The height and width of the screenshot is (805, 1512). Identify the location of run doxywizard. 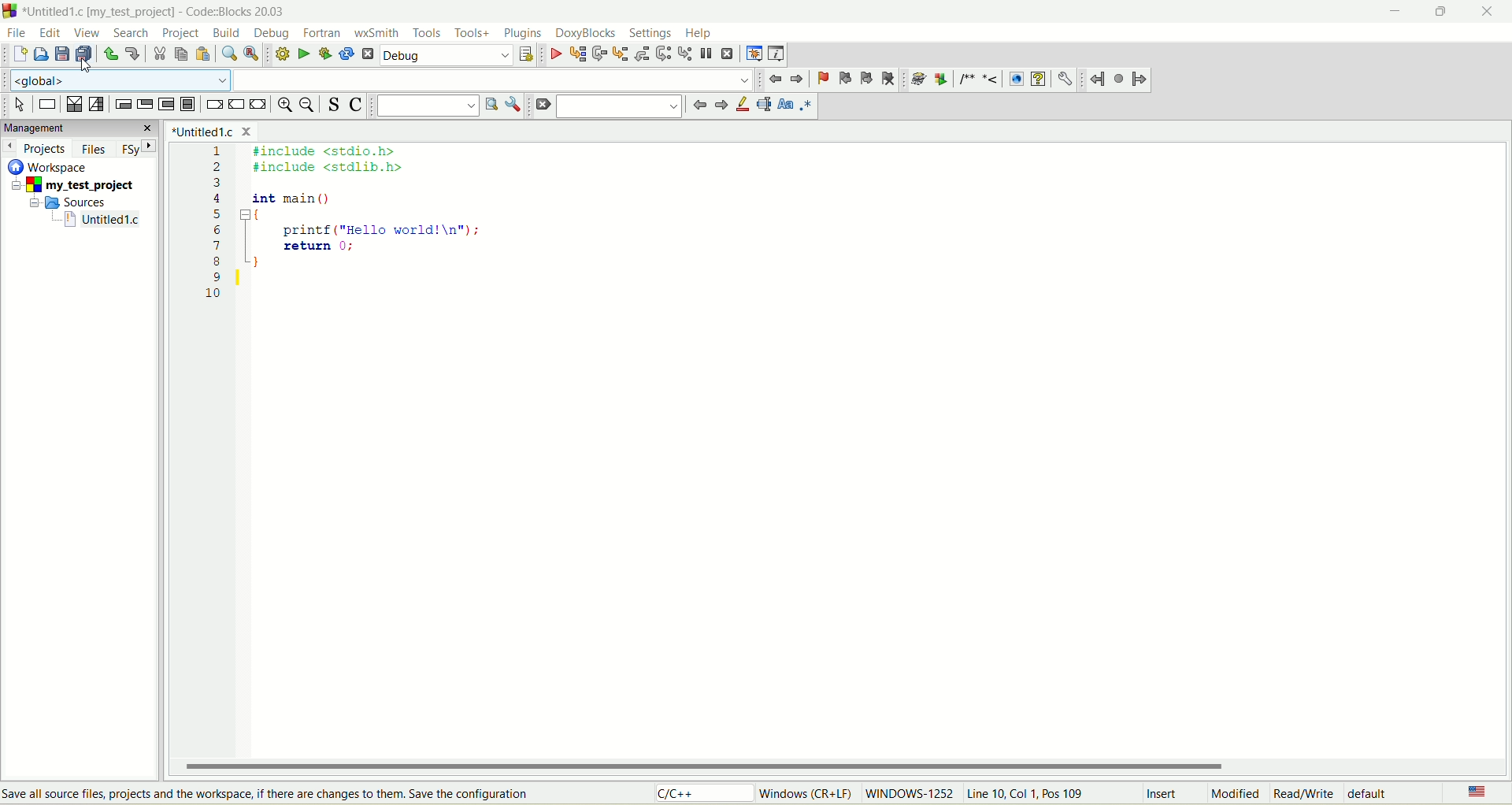
(920, 78).